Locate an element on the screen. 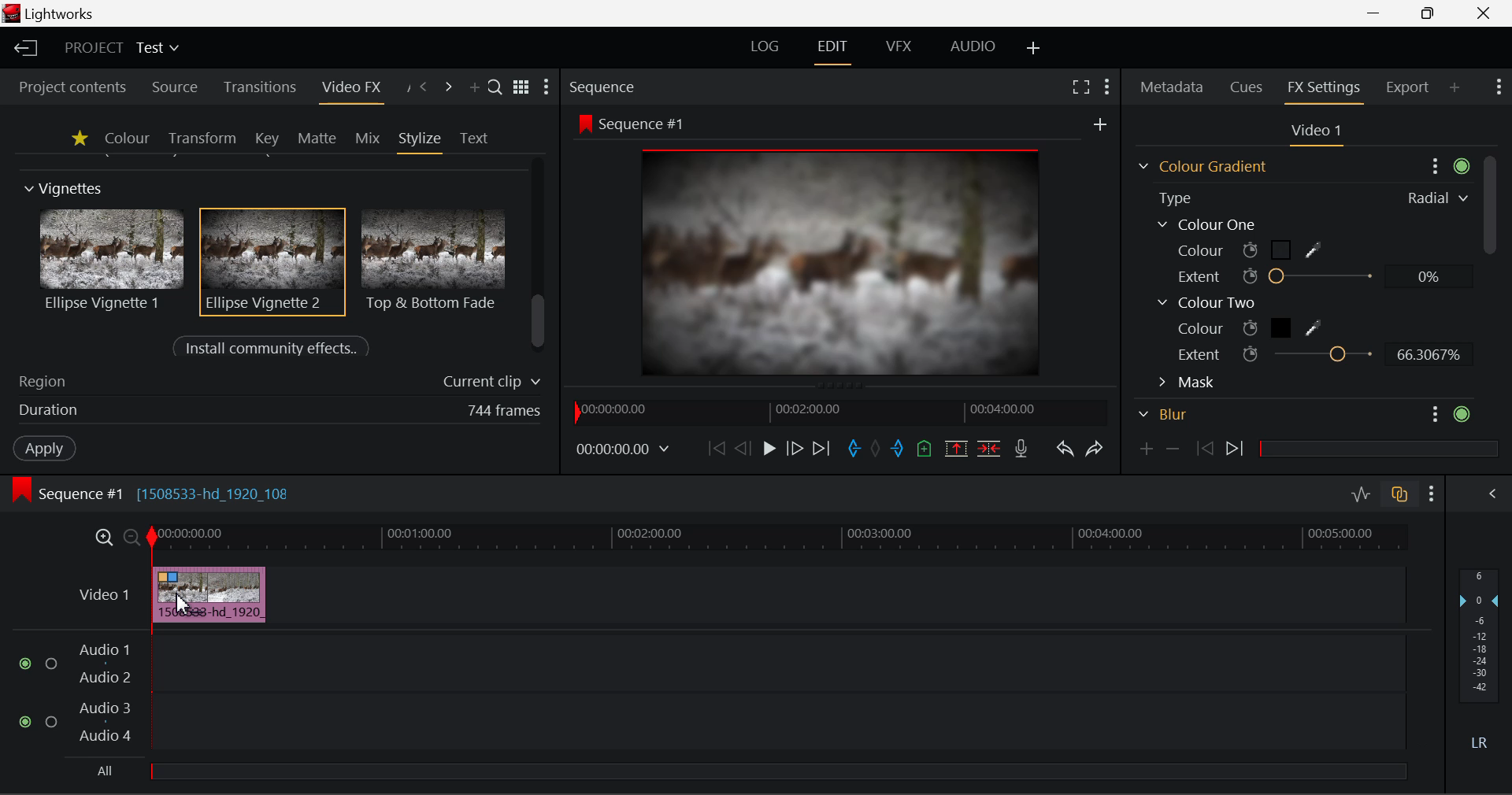 The width and height of the screenshot is (1512, 795). Back to Homepage is located at coordinates (23, 49).